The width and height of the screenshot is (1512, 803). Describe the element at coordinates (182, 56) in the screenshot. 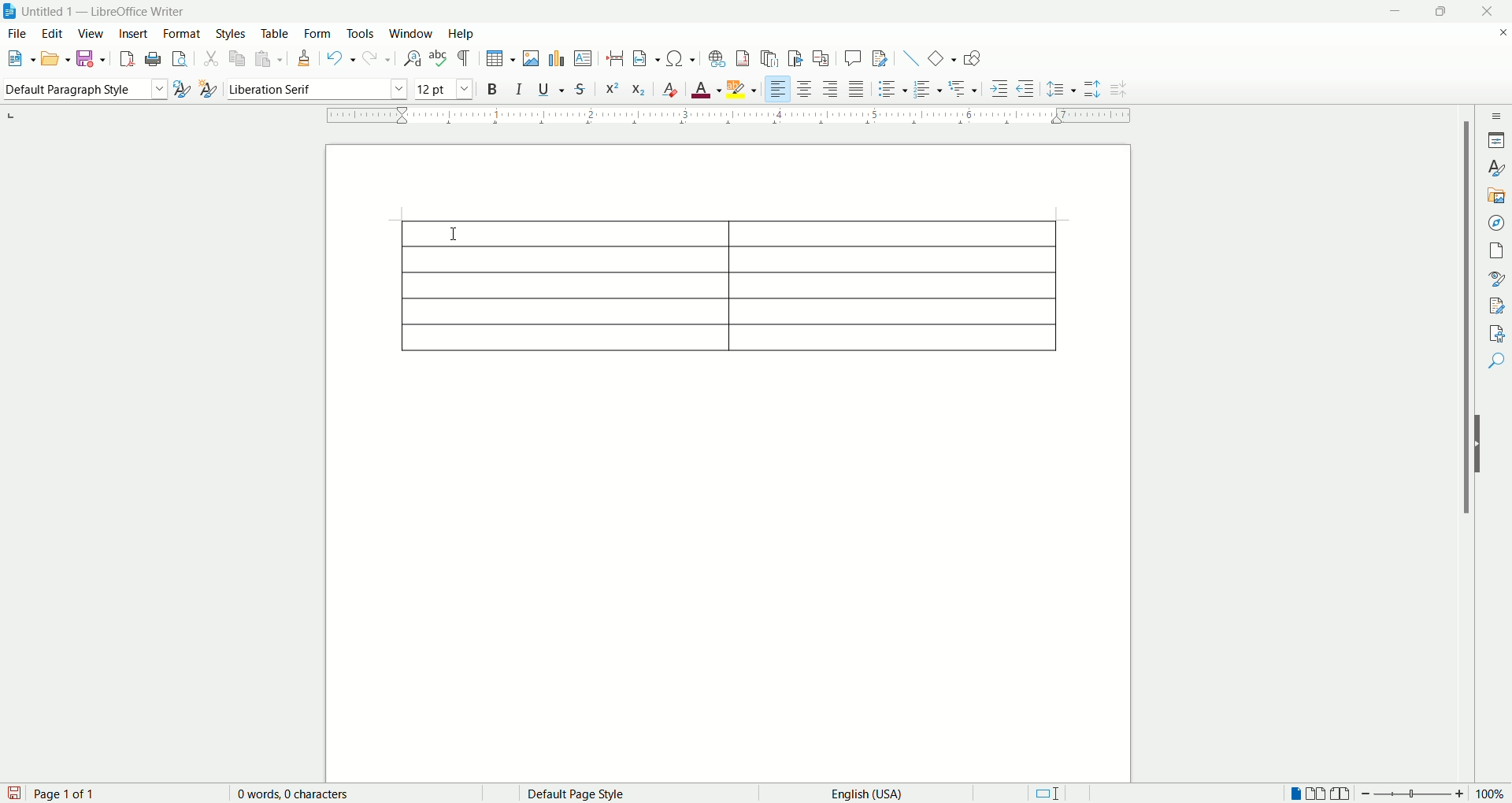

I see `print preview` at that location.